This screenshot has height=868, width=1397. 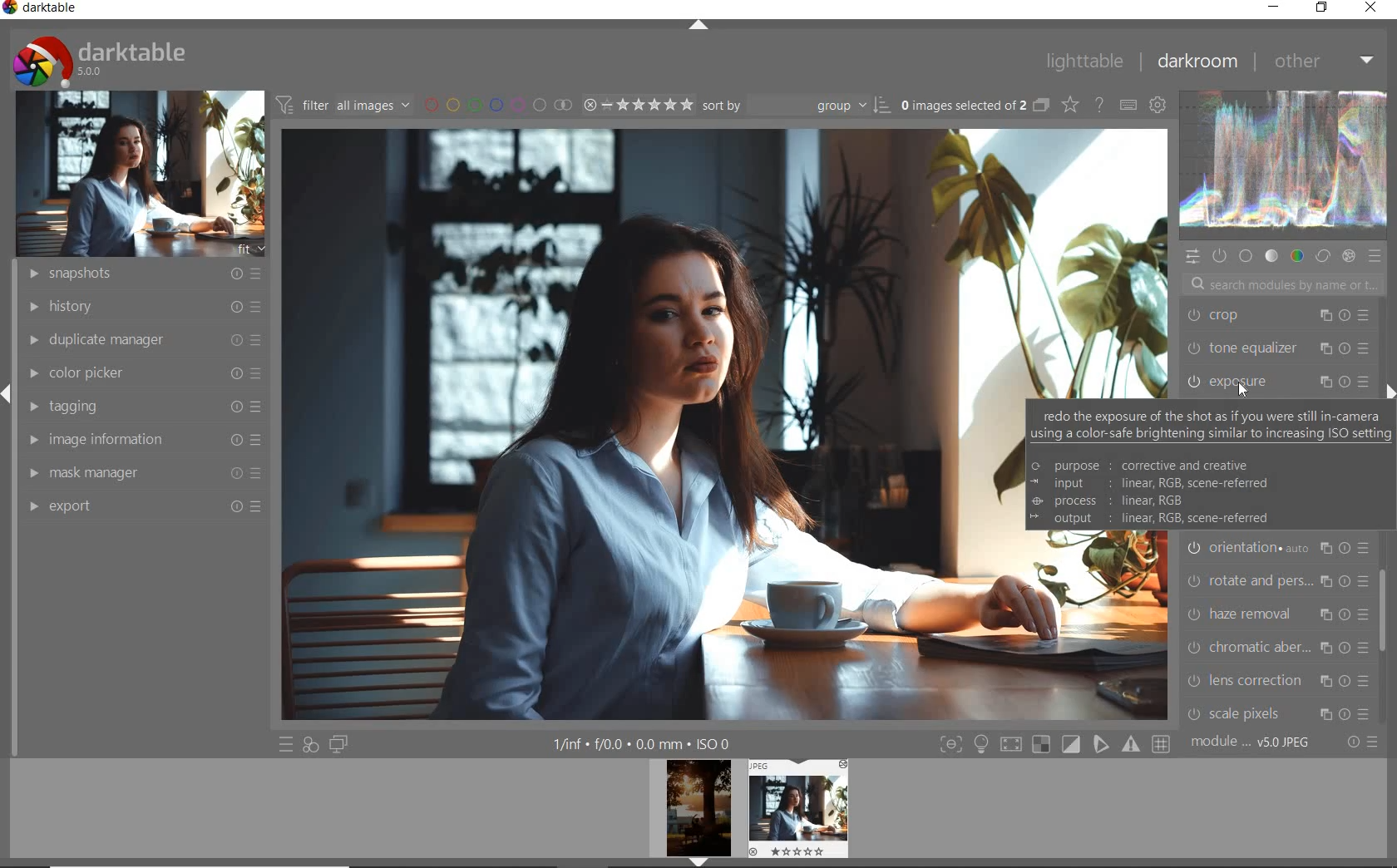 I want to click on ROTATE AND, so click(x=1275, y=582).